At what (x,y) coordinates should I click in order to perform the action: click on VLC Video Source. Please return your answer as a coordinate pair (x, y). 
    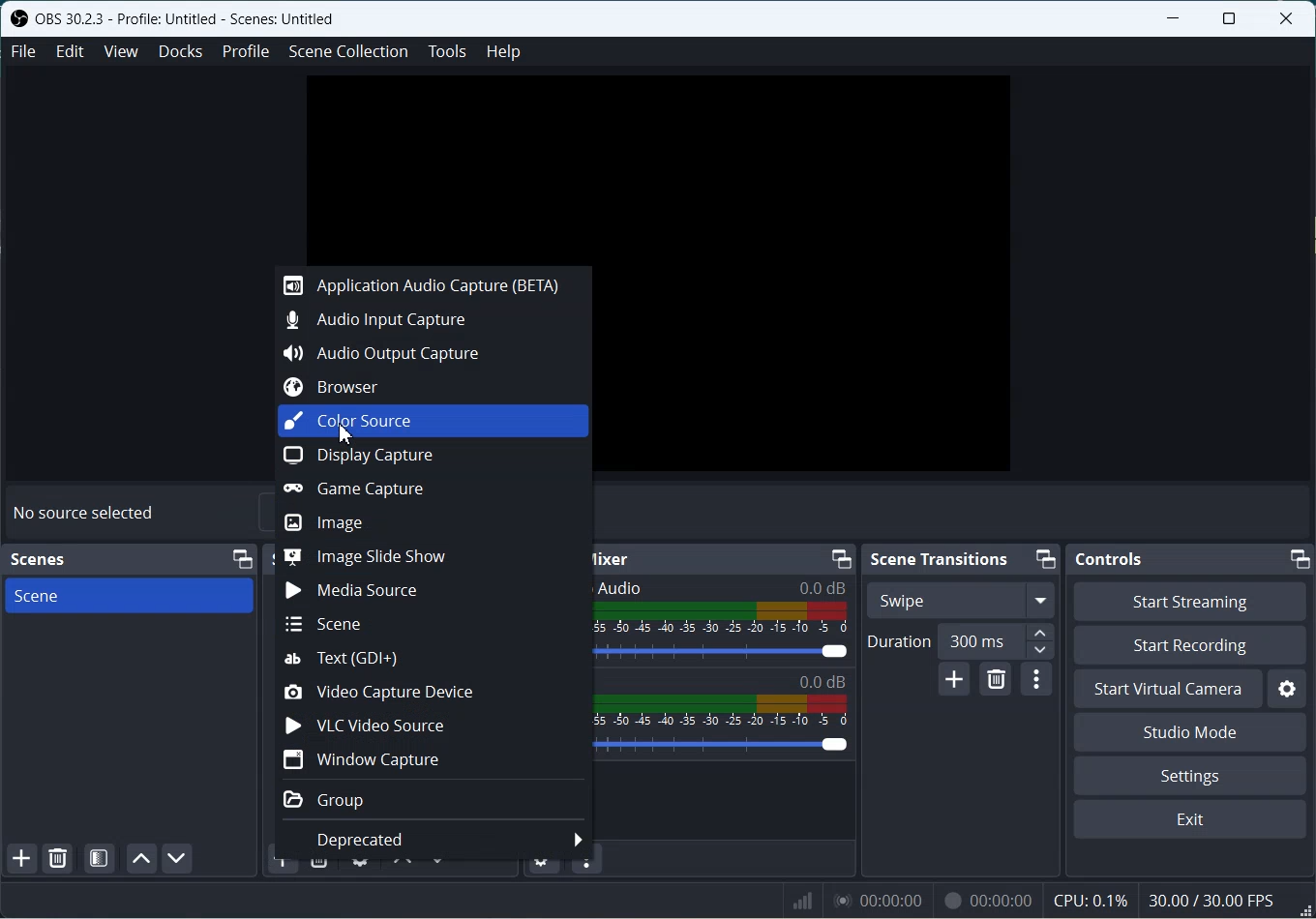
    Looking at the image, I should click on (432, 725).